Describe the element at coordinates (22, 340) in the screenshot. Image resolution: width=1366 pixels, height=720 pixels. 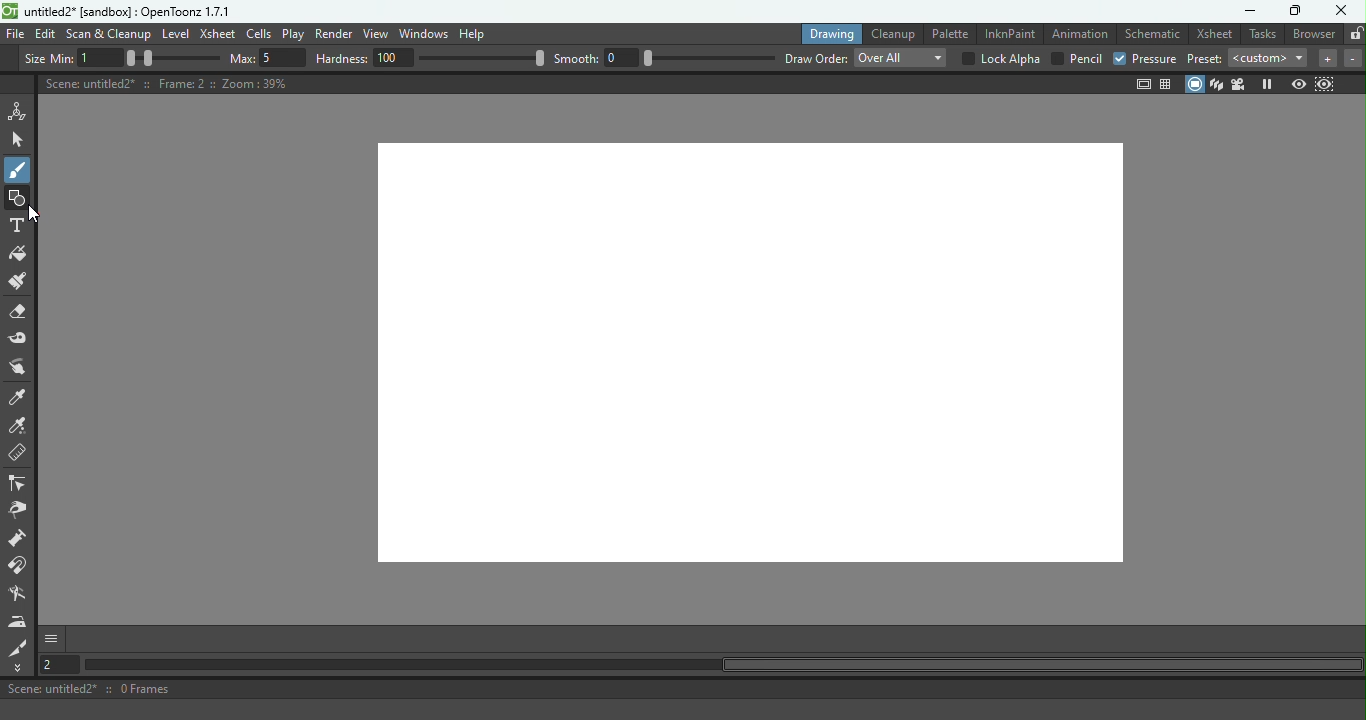
I see `Tape tool` at that location.